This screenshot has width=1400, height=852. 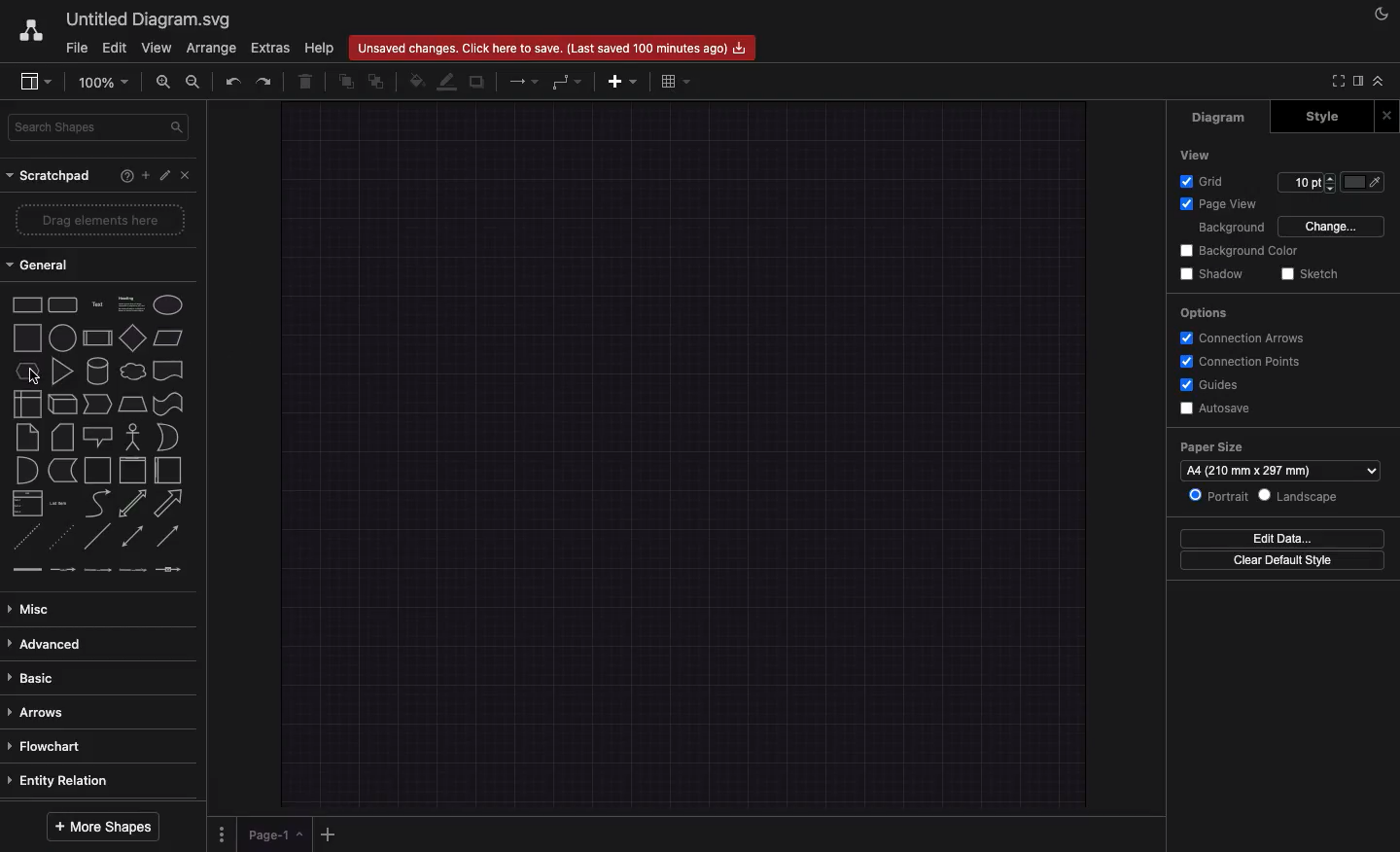 What do you see at coordinates (1308, 180) in the screenshot?
I see `Size 10pt` at bounding box center [1308, 180].